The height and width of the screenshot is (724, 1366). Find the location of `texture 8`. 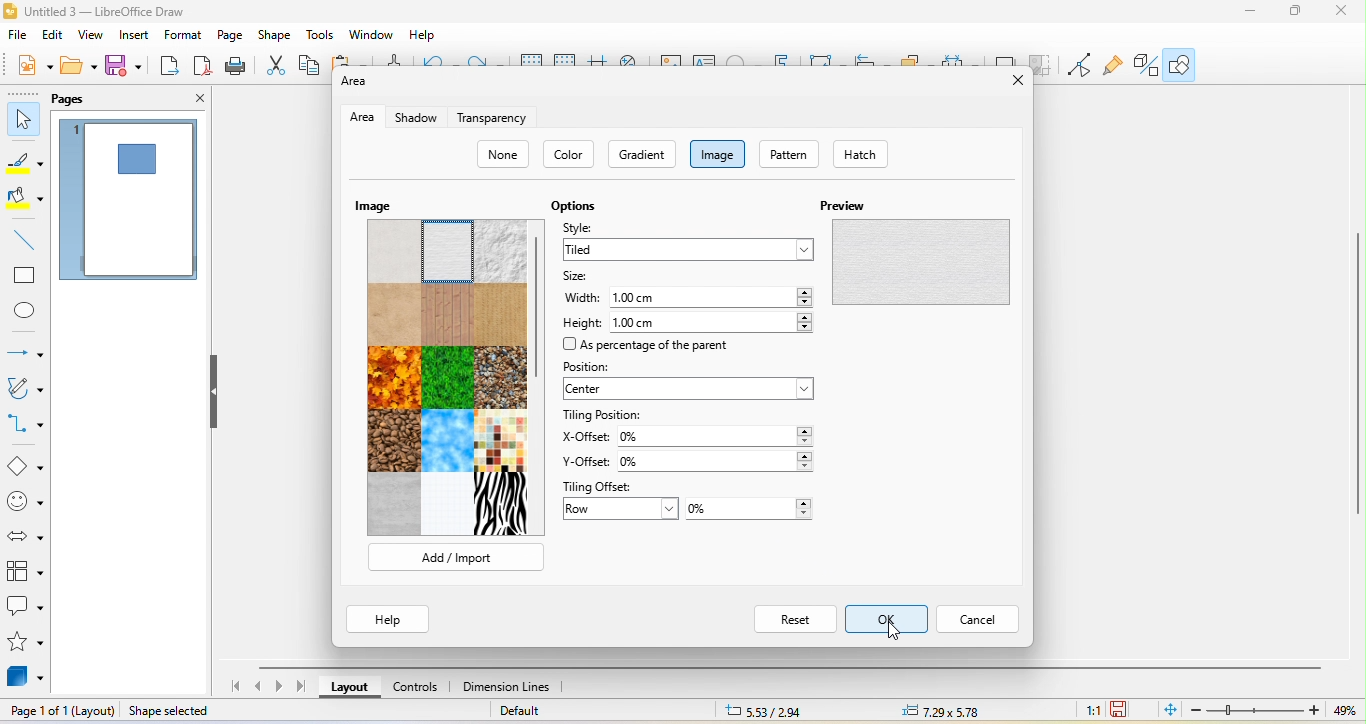

texture 8 is located at coordinates (449, 378).